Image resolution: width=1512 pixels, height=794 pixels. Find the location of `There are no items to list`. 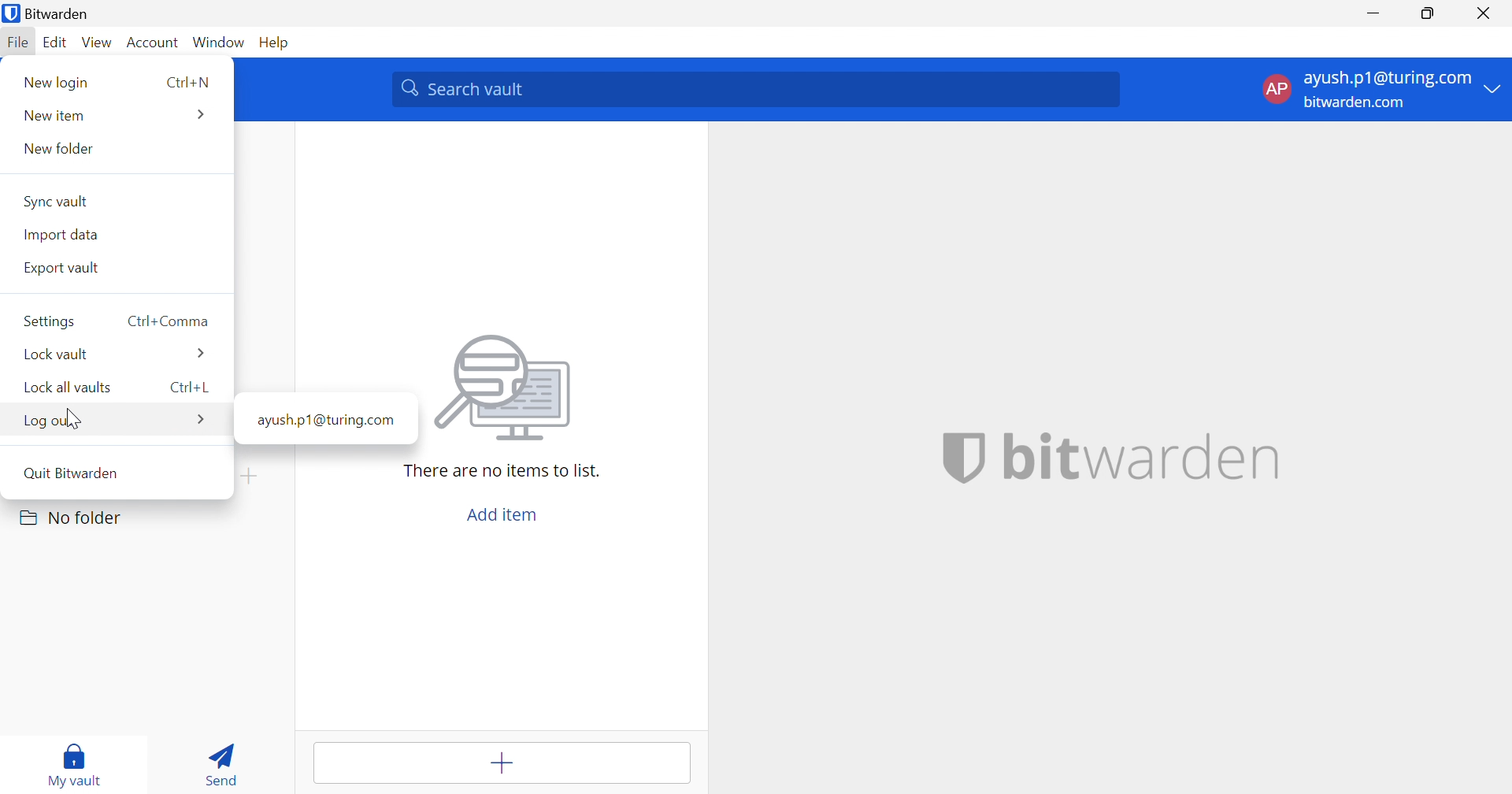

There are no items to list is located at coordinates (500, 471).